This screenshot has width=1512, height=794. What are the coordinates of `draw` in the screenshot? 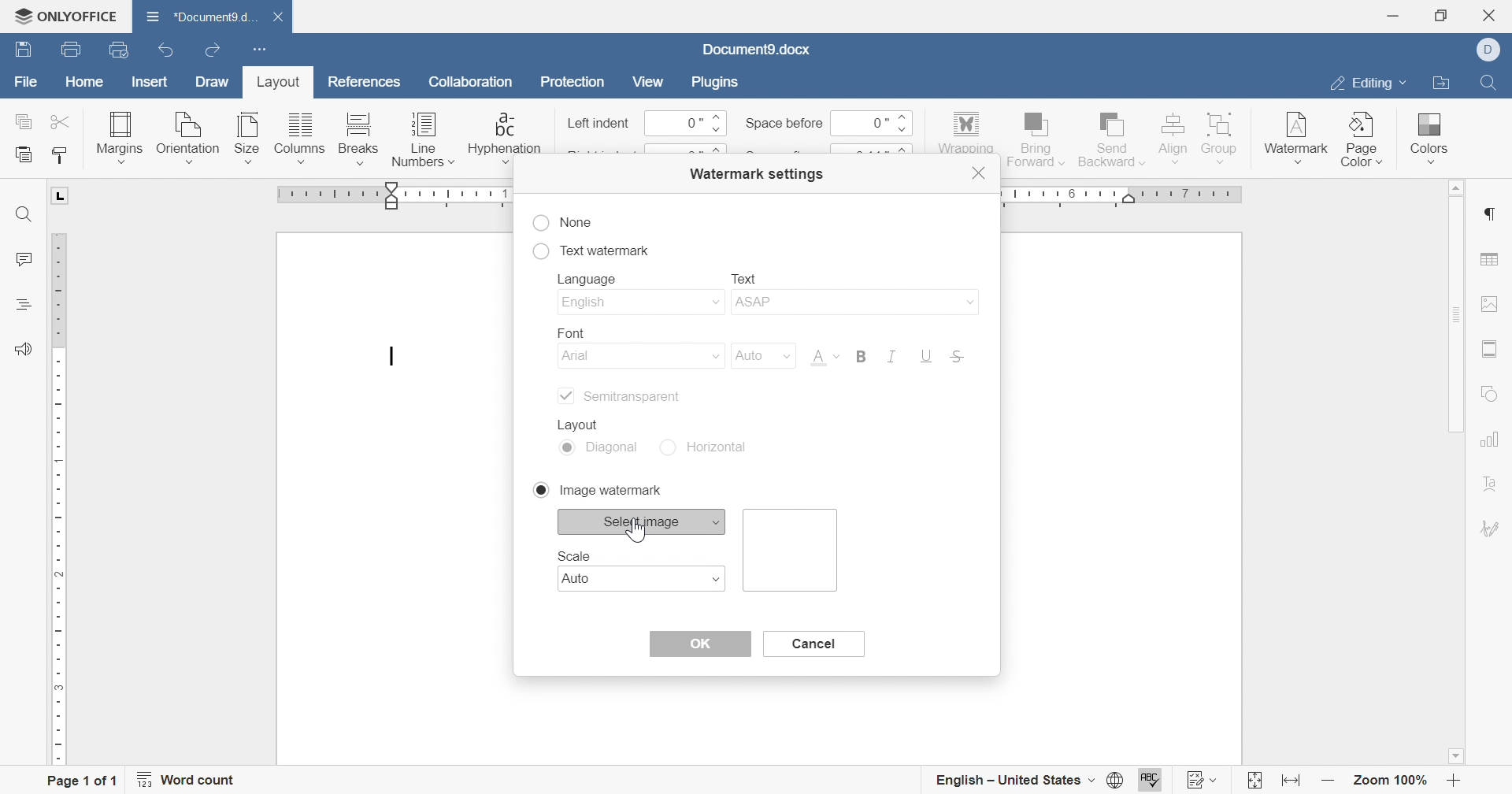 It's located at (213, 82).